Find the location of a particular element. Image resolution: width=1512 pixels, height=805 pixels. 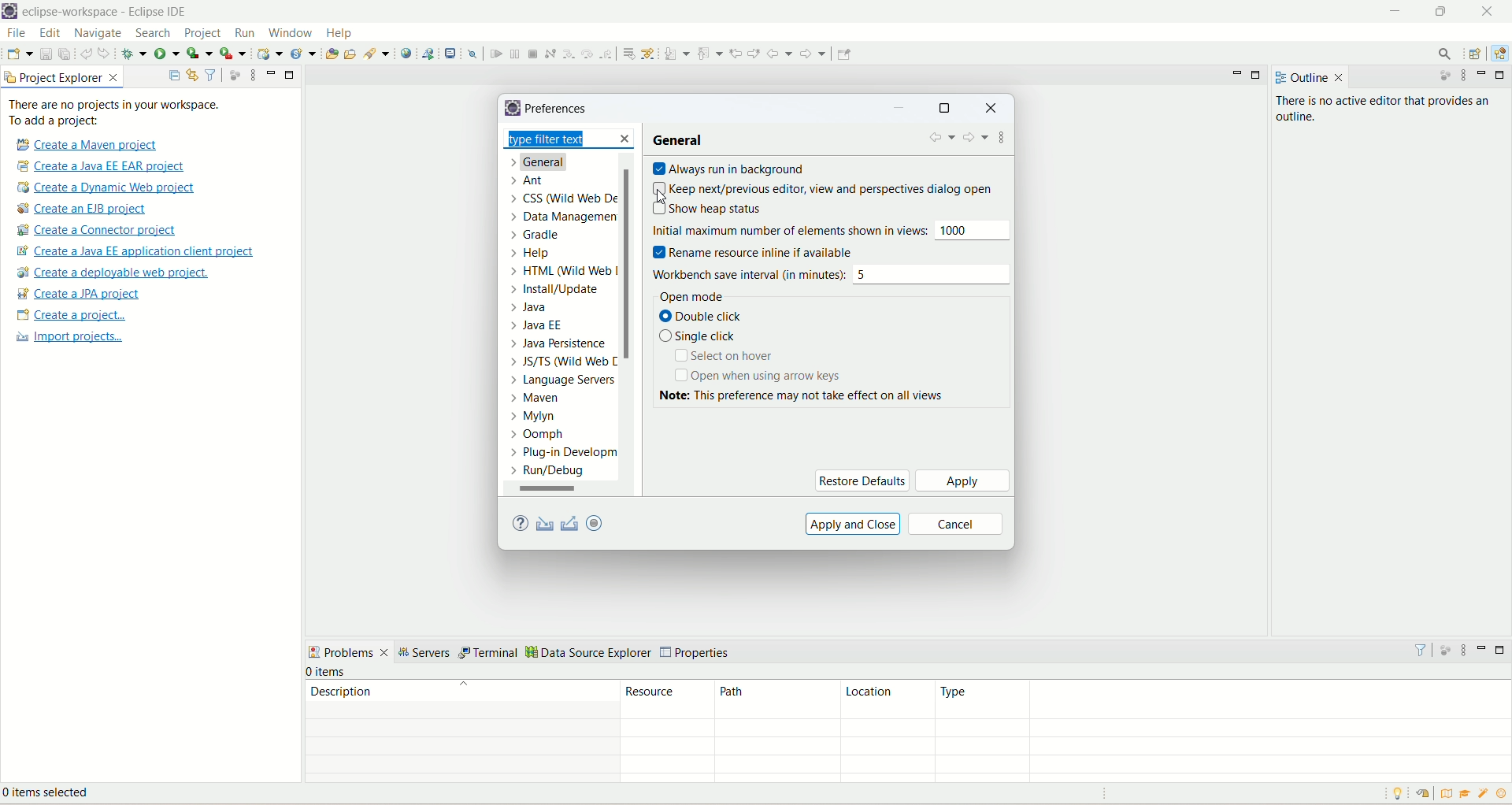

create a Java EE application client project is located at coordinates (135, 253).